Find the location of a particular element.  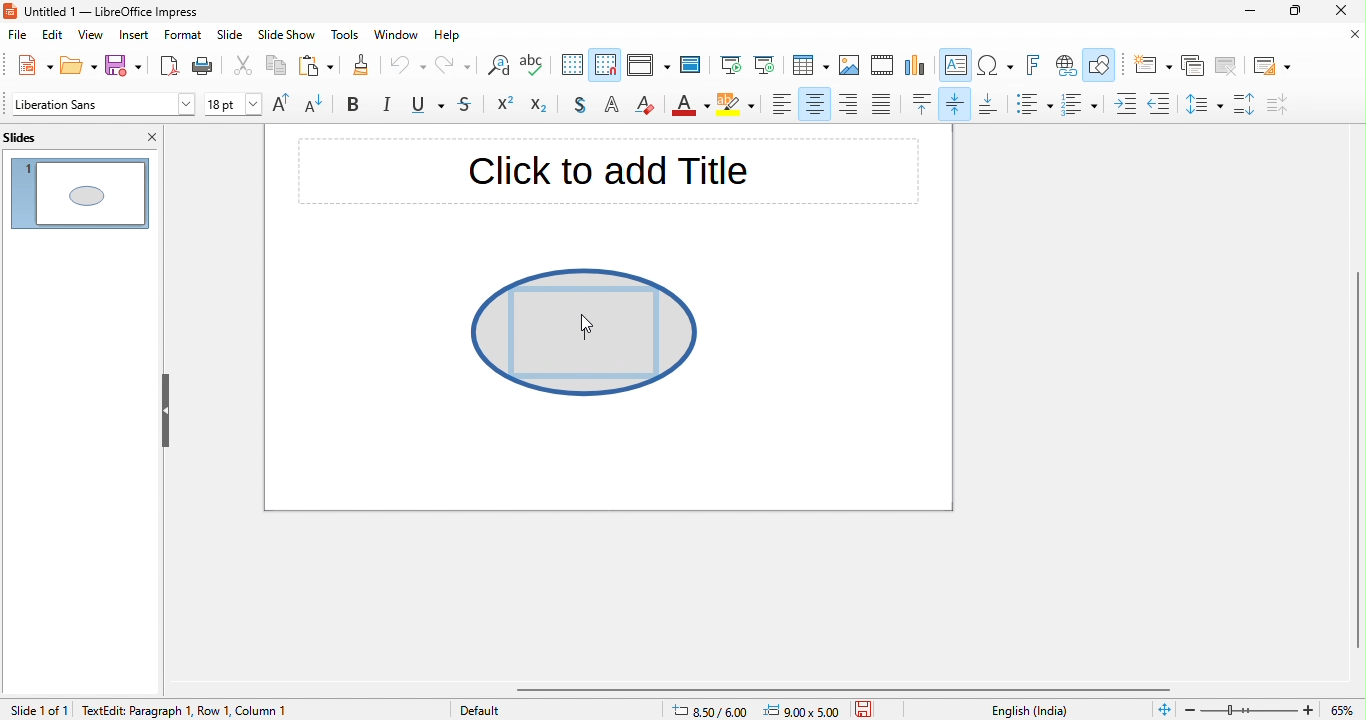

toggle ordered list is located at coordinates (1083, 104).